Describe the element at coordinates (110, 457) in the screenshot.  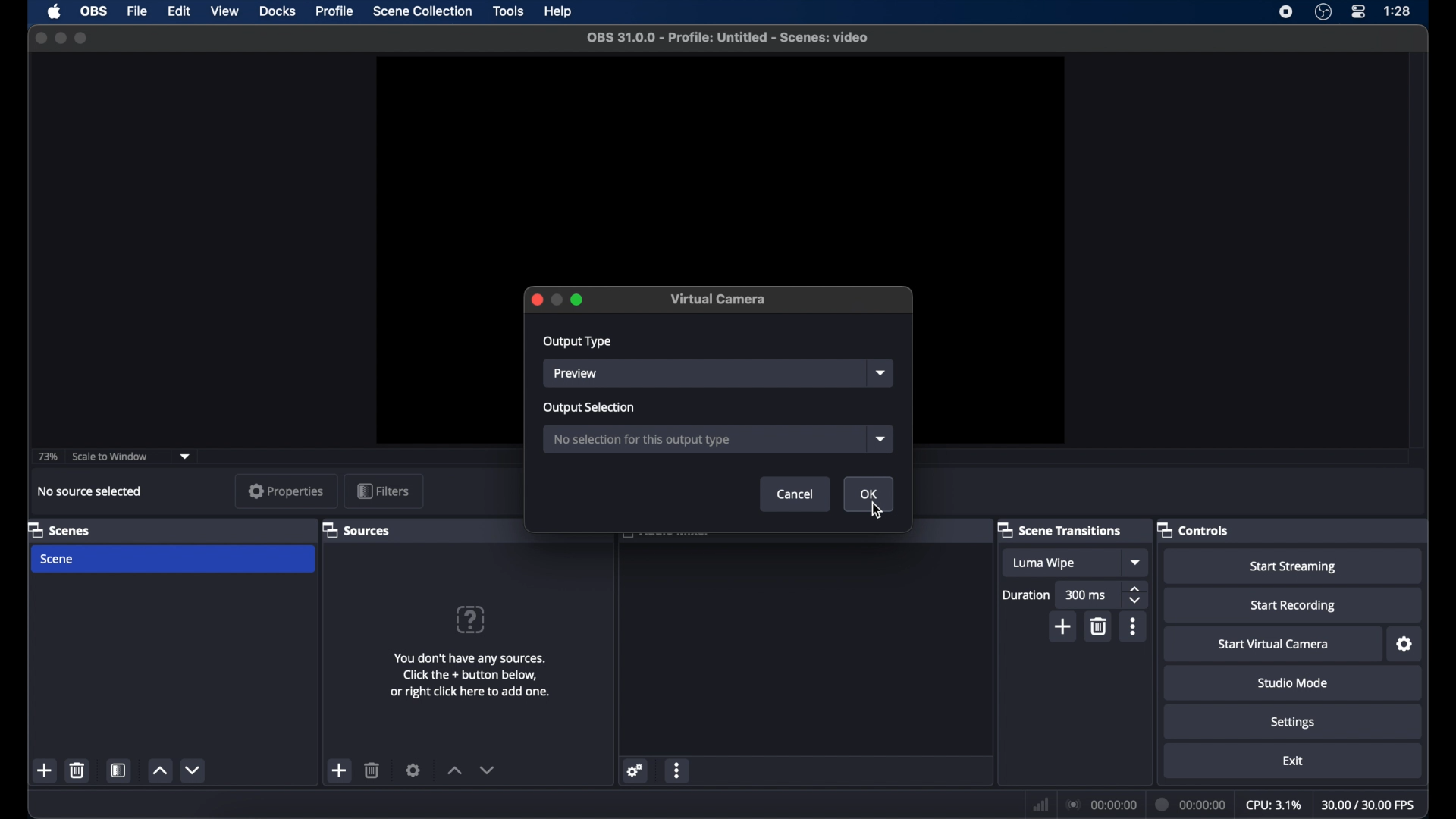
I see `scale to window` at that location.